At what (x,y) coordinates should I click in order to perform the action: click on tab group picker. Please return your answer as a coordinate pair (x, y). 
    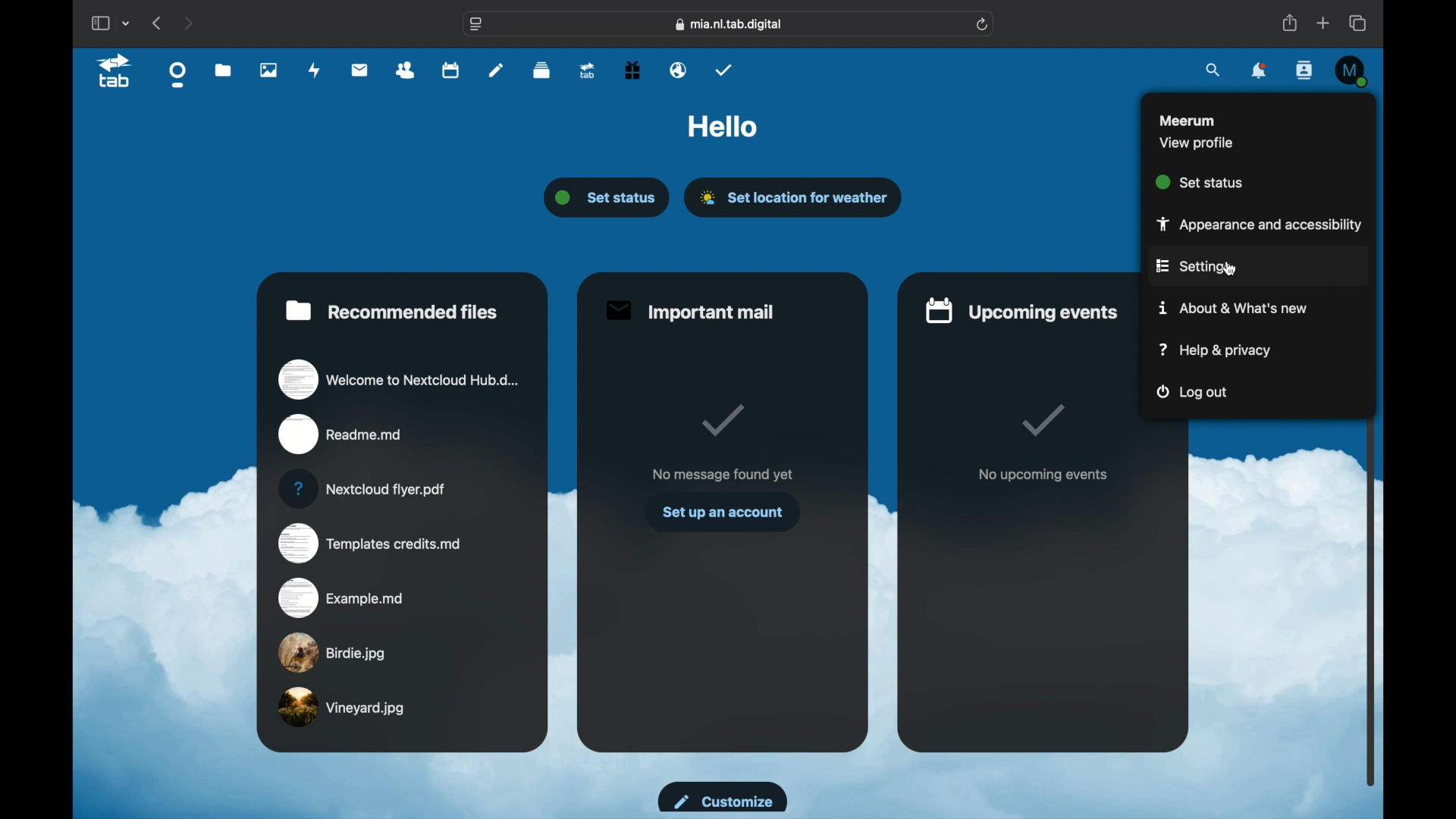
    Looking at the image, I should click on (127, 23).